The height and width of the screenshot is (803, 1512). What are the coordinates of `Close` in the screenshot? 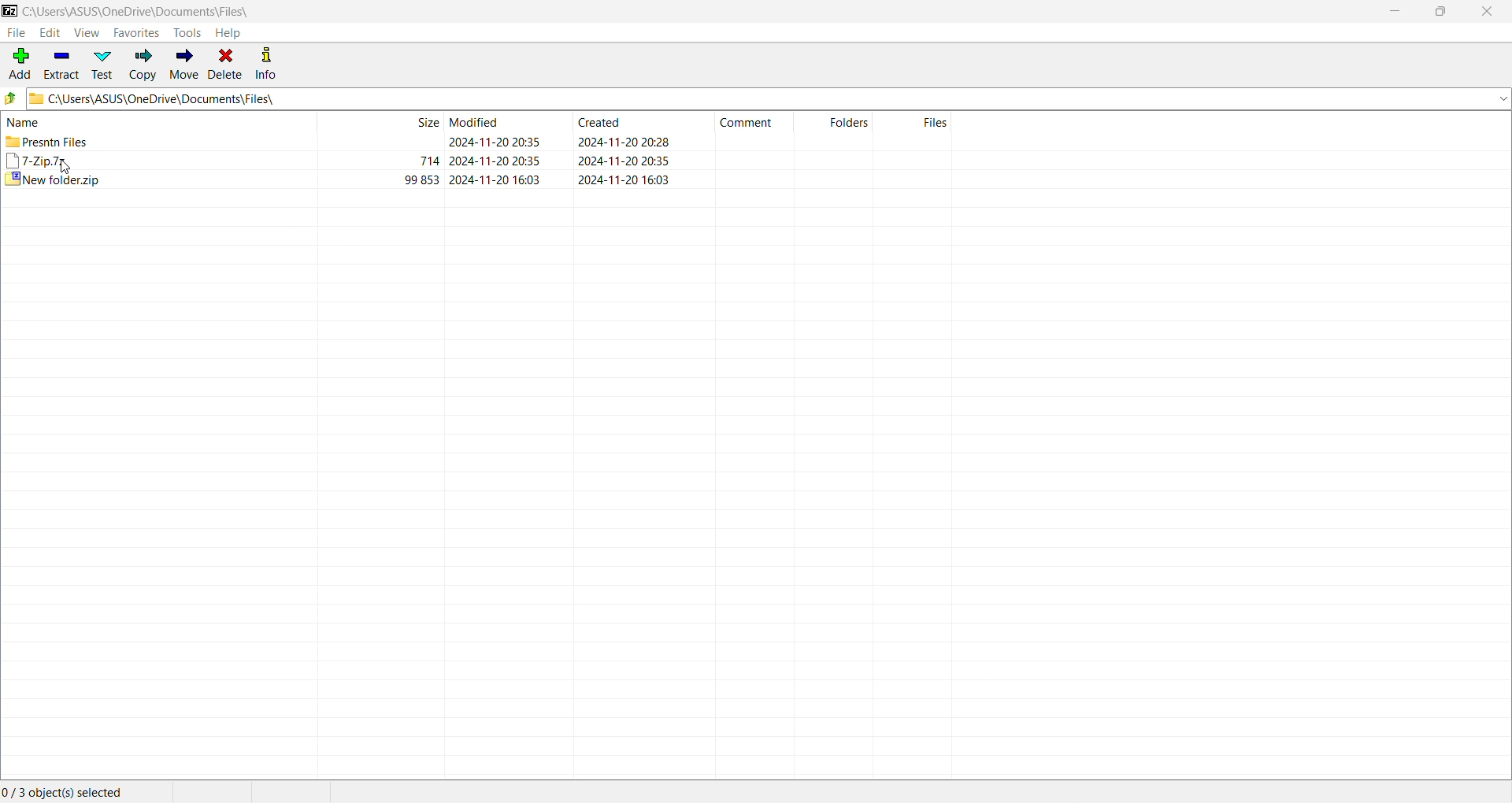 It's located at (1489, 12).